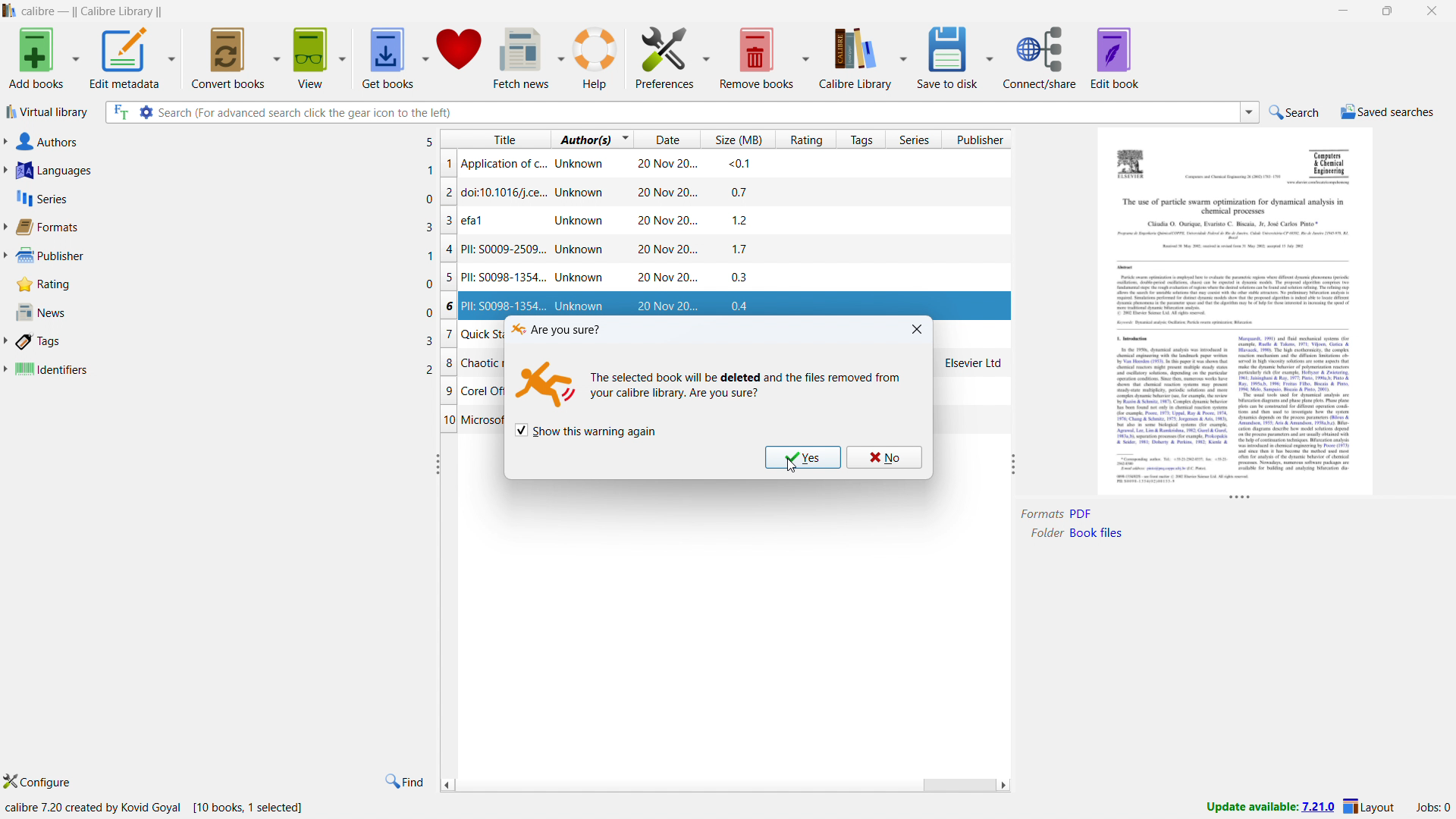  I want to click on sort by title, so click(496, 138).